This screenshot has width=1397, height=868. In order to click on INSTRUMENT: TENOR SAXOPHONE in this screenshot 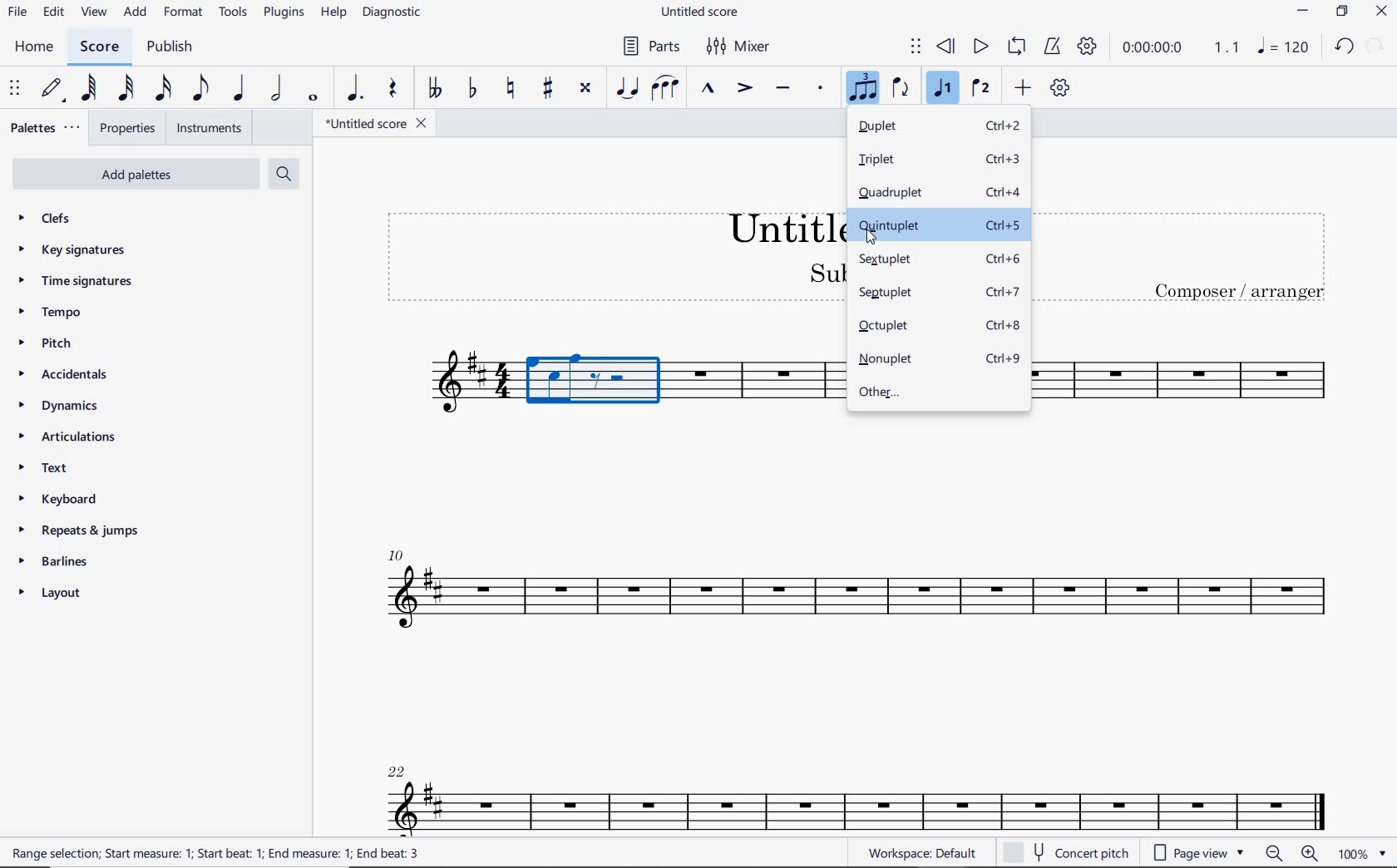, I will do `click(438, 387)`.